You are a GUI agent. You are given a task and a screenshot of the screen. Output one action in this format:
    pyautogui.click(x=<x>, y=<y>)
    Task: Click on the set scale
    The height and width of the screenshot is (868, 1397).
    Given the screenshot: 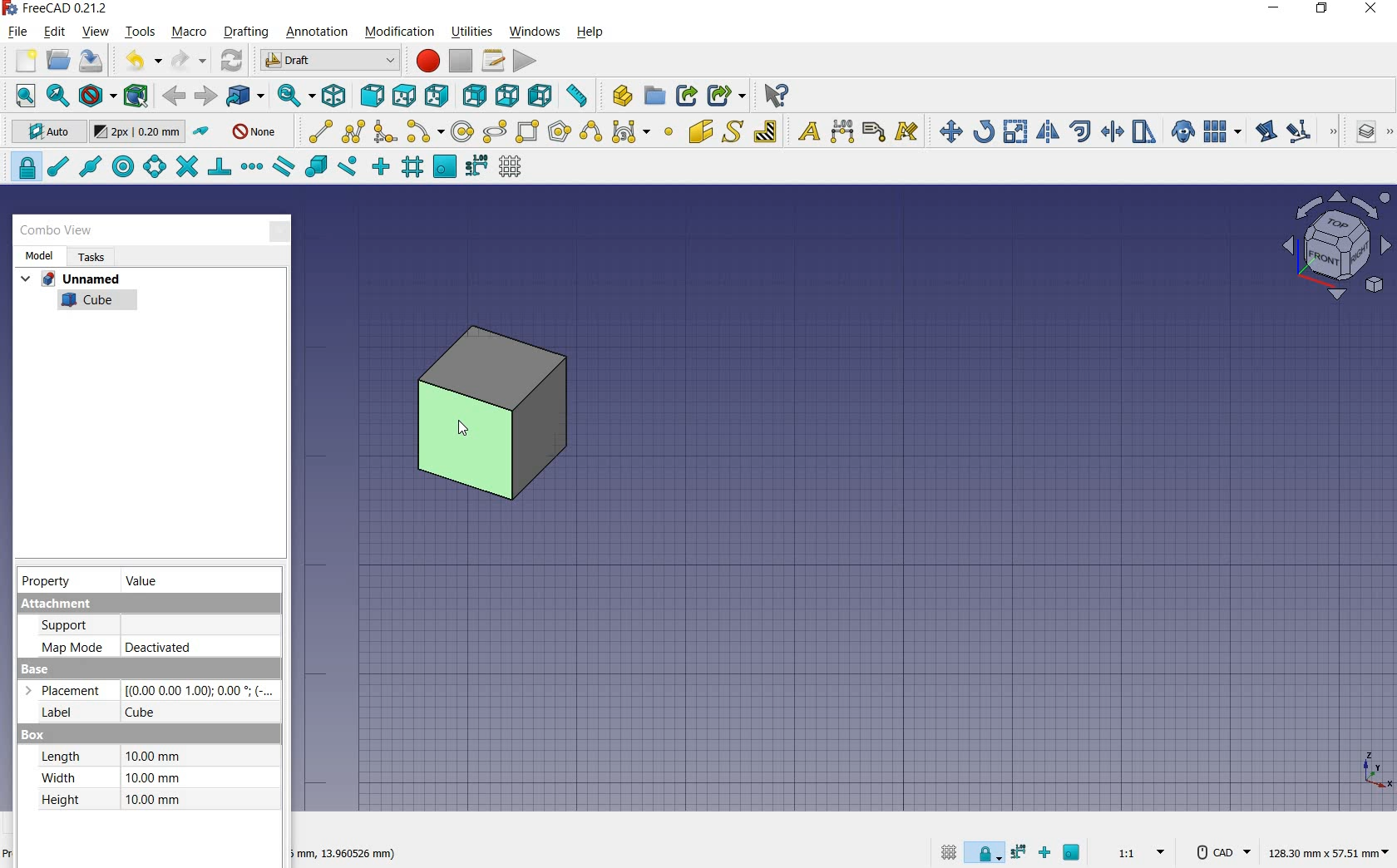 What is the action you would take?
    pyautogui.click(x=1140, y=852)
    